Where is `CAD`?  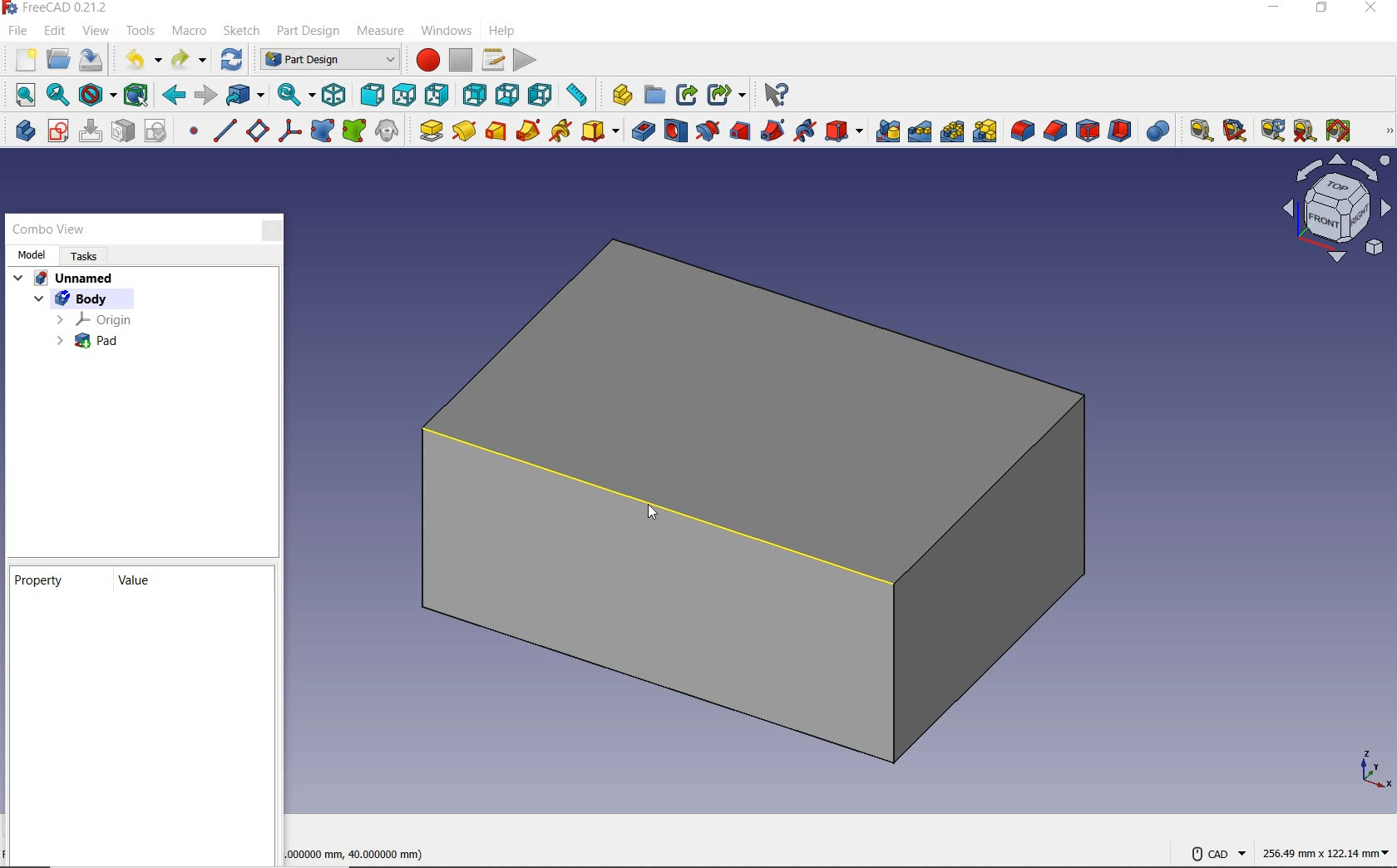
CAD is located at coordinates (1217, 854).